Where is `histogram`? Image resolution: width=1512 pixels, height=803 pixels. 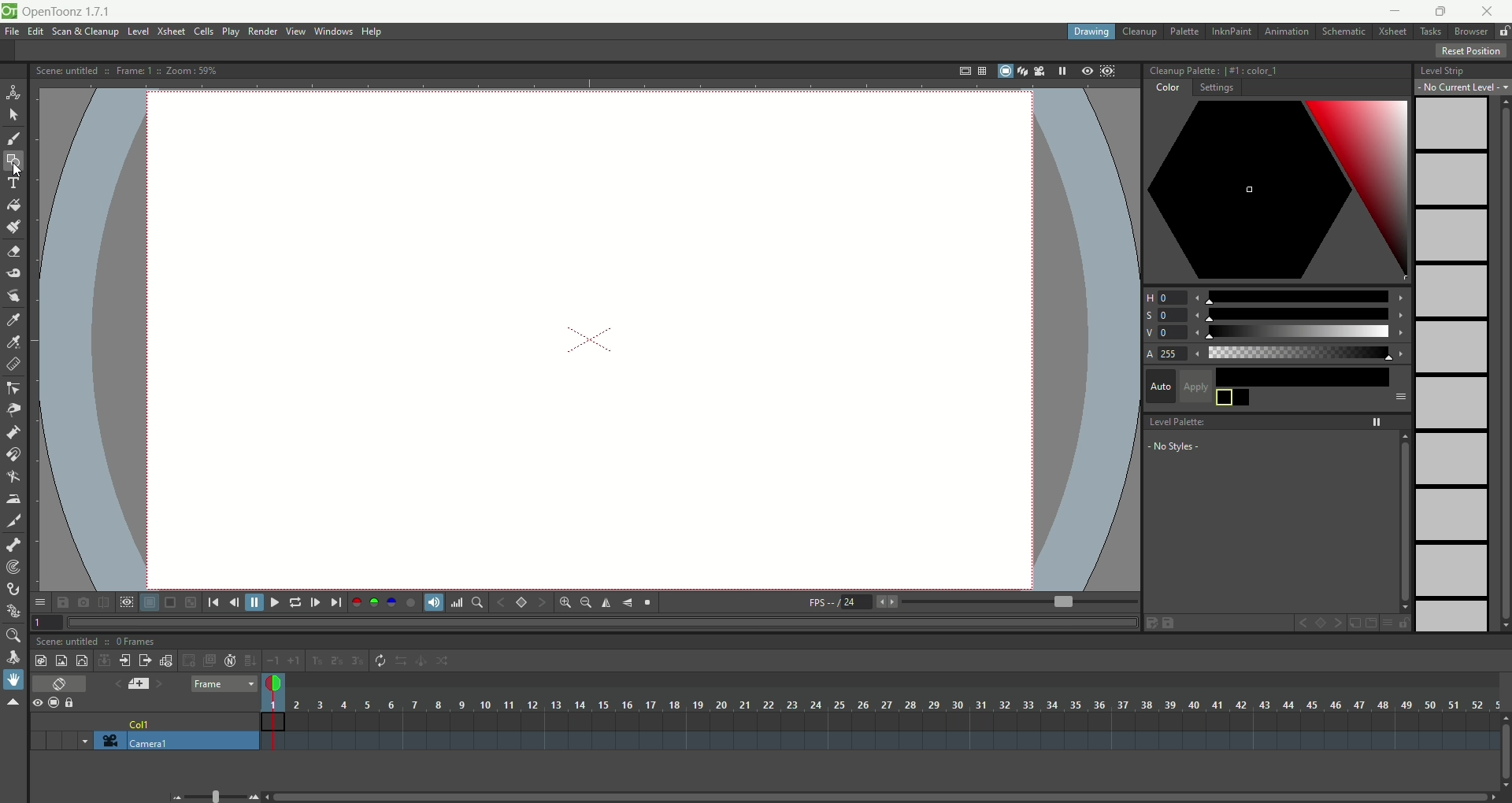
histogram is located at coordinates (457, 602).